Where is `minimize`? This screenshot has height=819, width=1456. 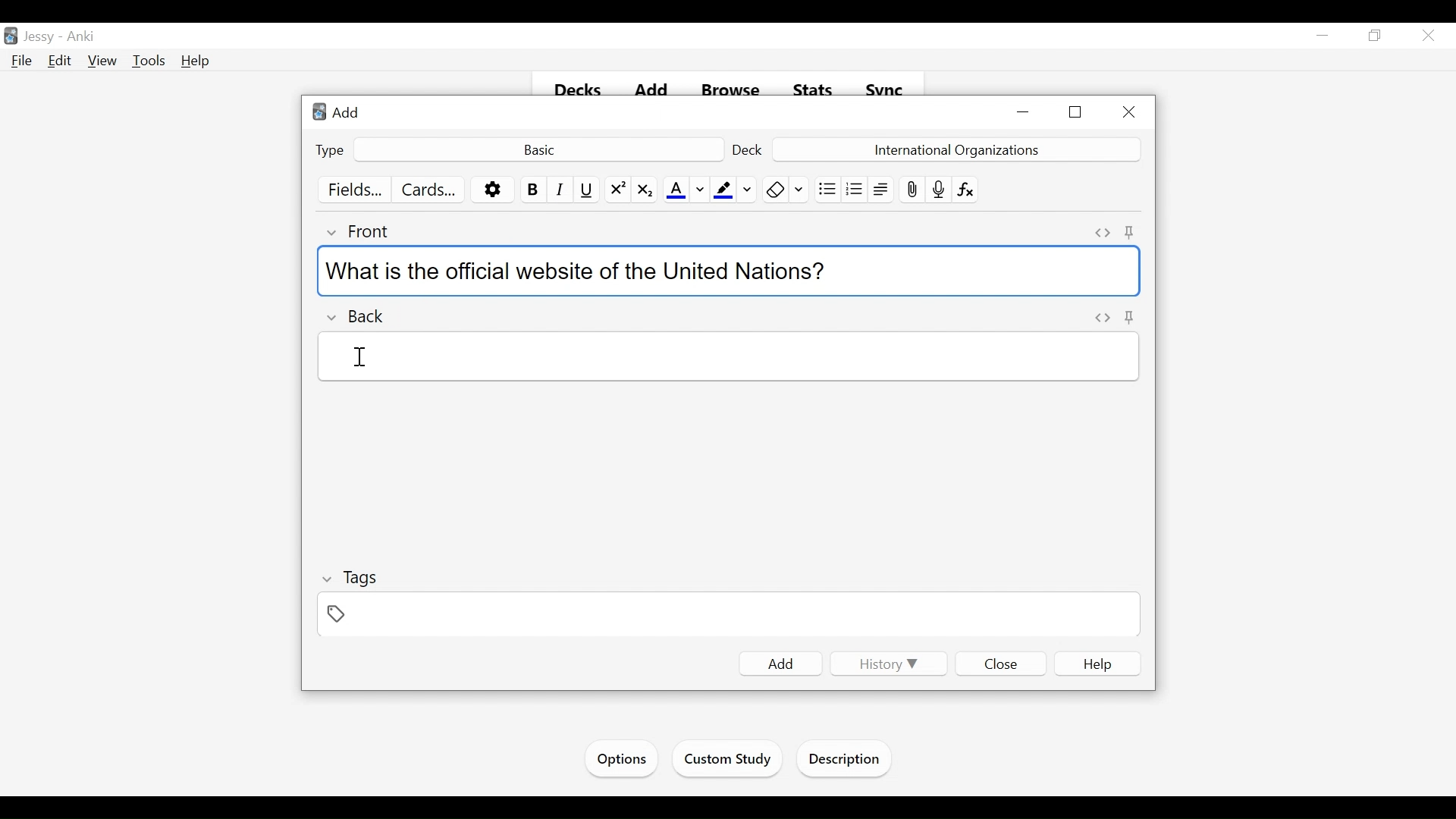 minimize is located at coordinates (1323, 36).